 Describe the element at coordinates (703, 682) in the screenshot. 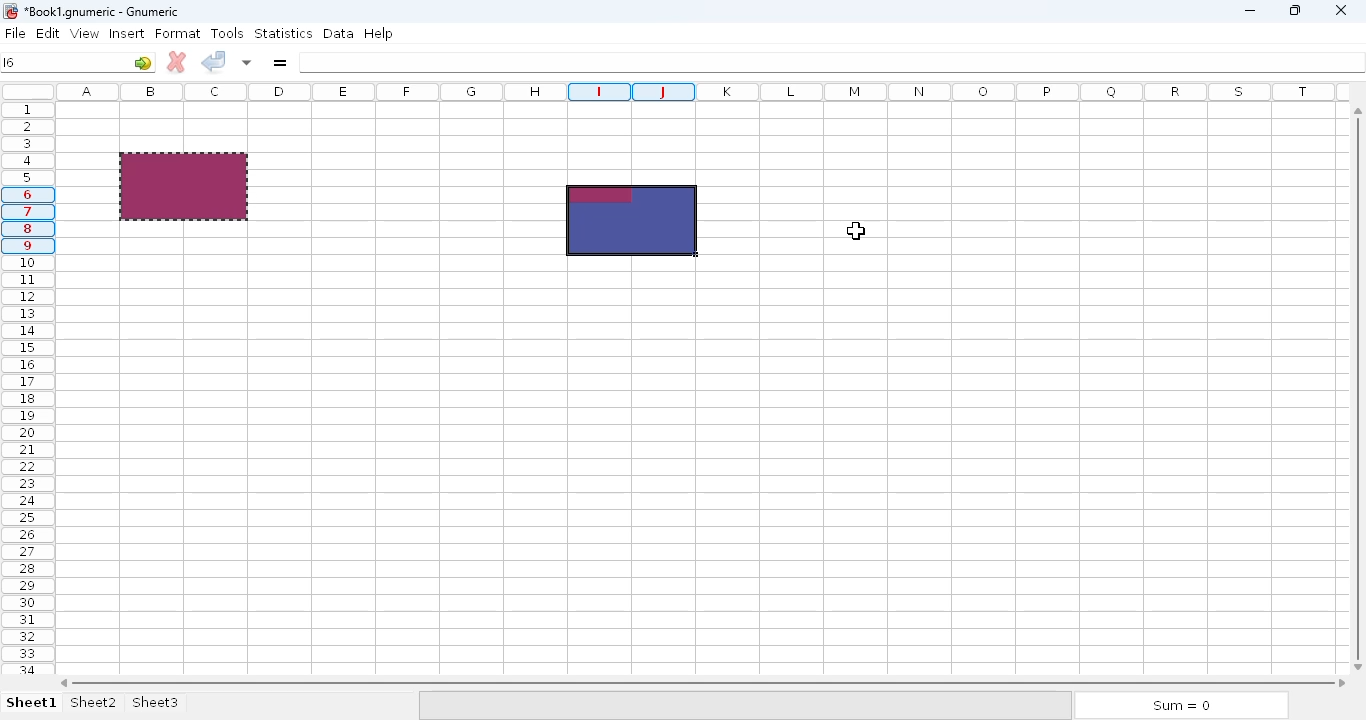

I see `horizontal scroll bar` at that location.